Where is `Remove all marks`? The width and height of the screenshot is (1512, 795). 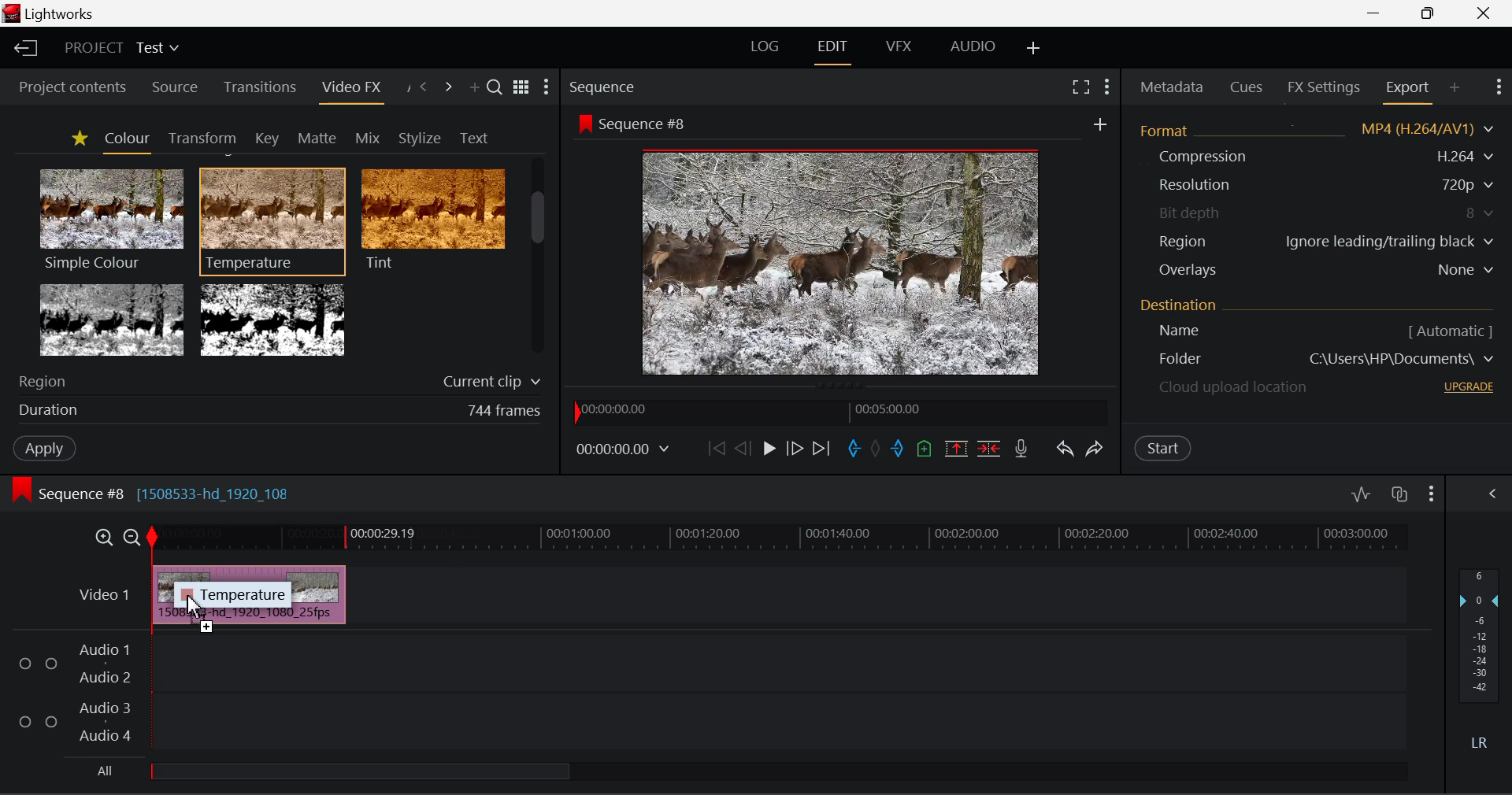 Remove all marks is located at coordinates (875, 450).